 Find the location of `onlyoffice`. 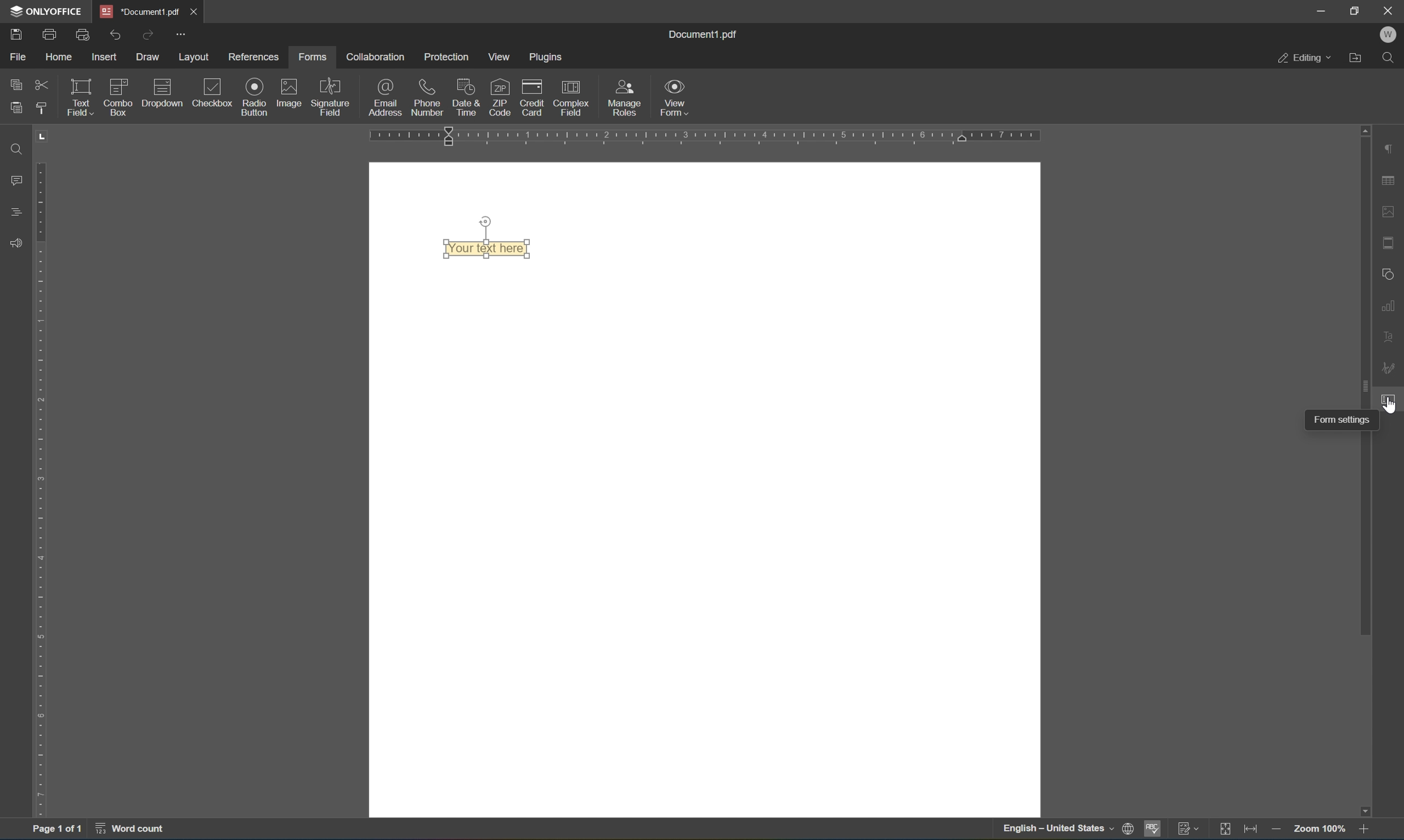

onlyoffice is located at coordinates (48, 10).